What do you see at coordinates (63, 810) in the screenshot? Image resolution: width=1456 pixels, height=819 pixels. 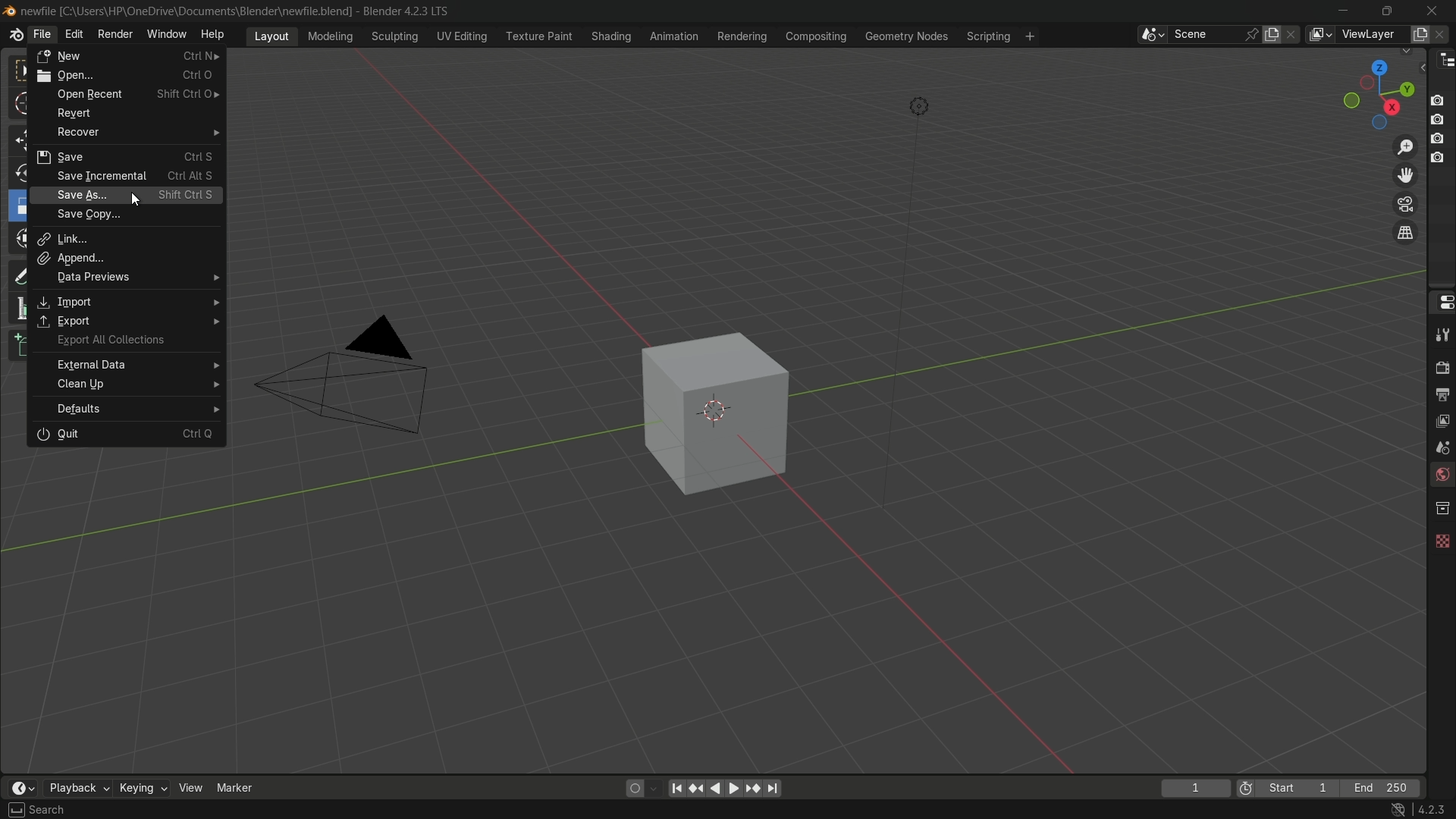 I see `Select` at bounding box center [63, 810].